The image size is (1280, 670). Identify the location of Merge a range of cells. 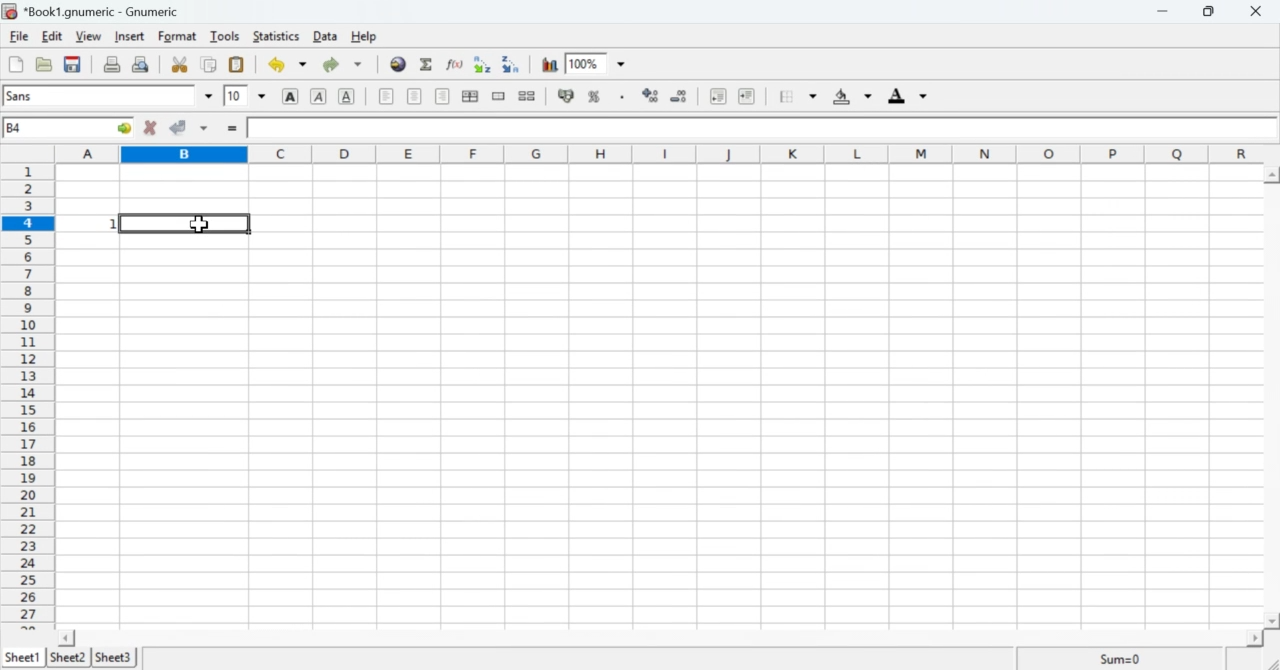
(498, 96).